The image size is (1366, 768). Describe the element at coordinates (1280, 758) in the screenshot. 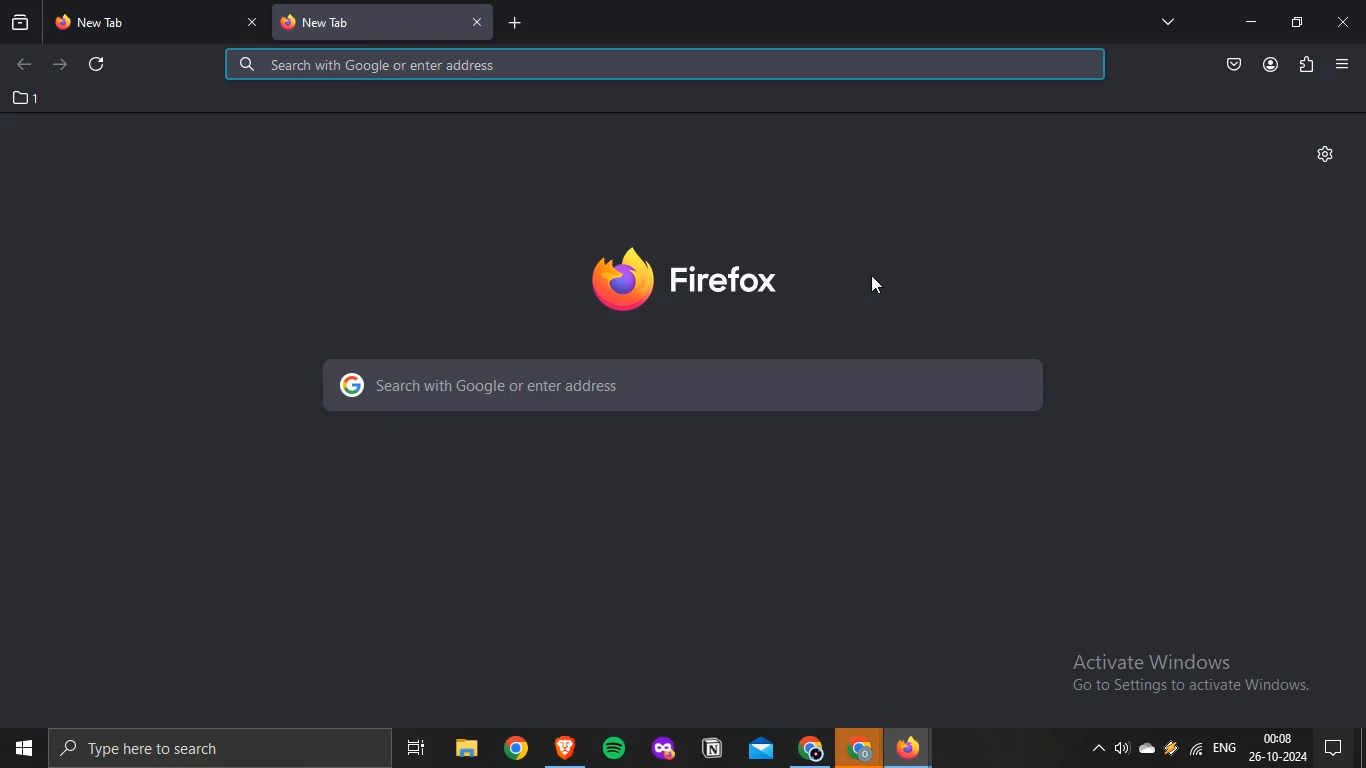

I see `26- 10-2024` at that location.